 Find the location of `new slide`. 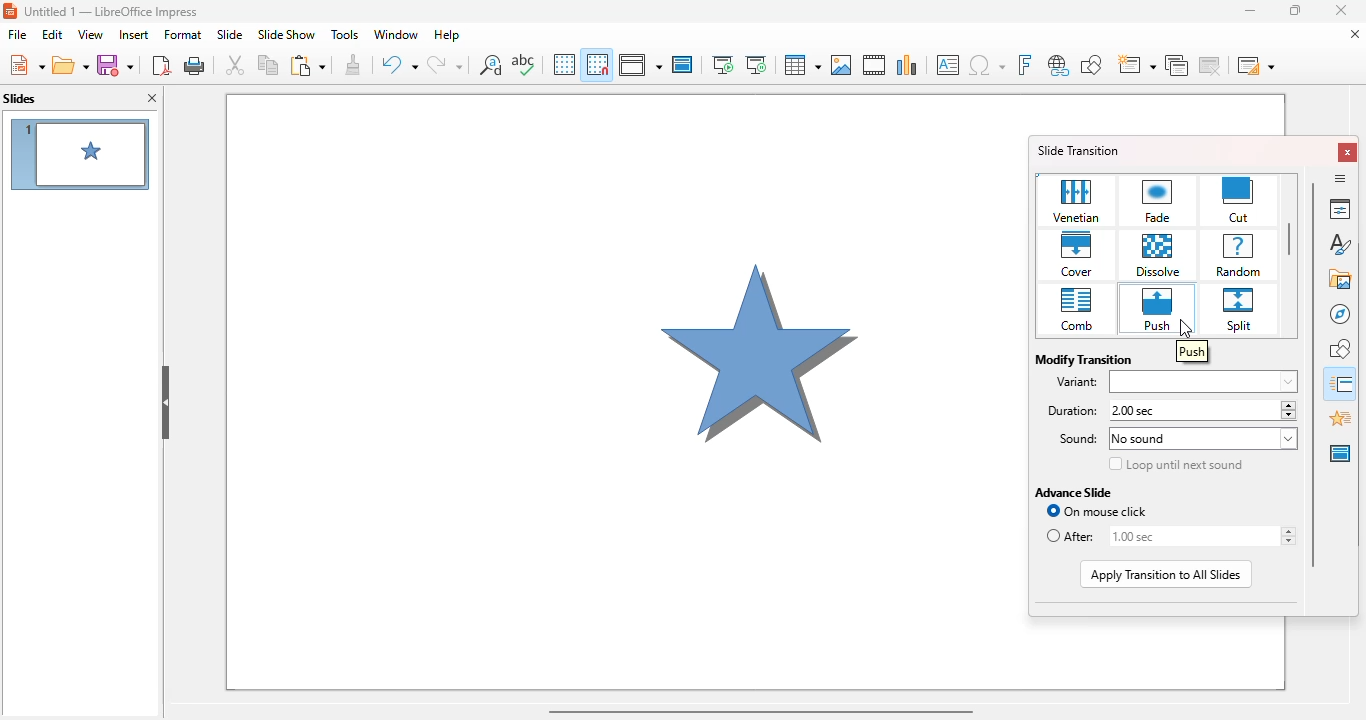

new slide is located at coordinates (1136, 66).